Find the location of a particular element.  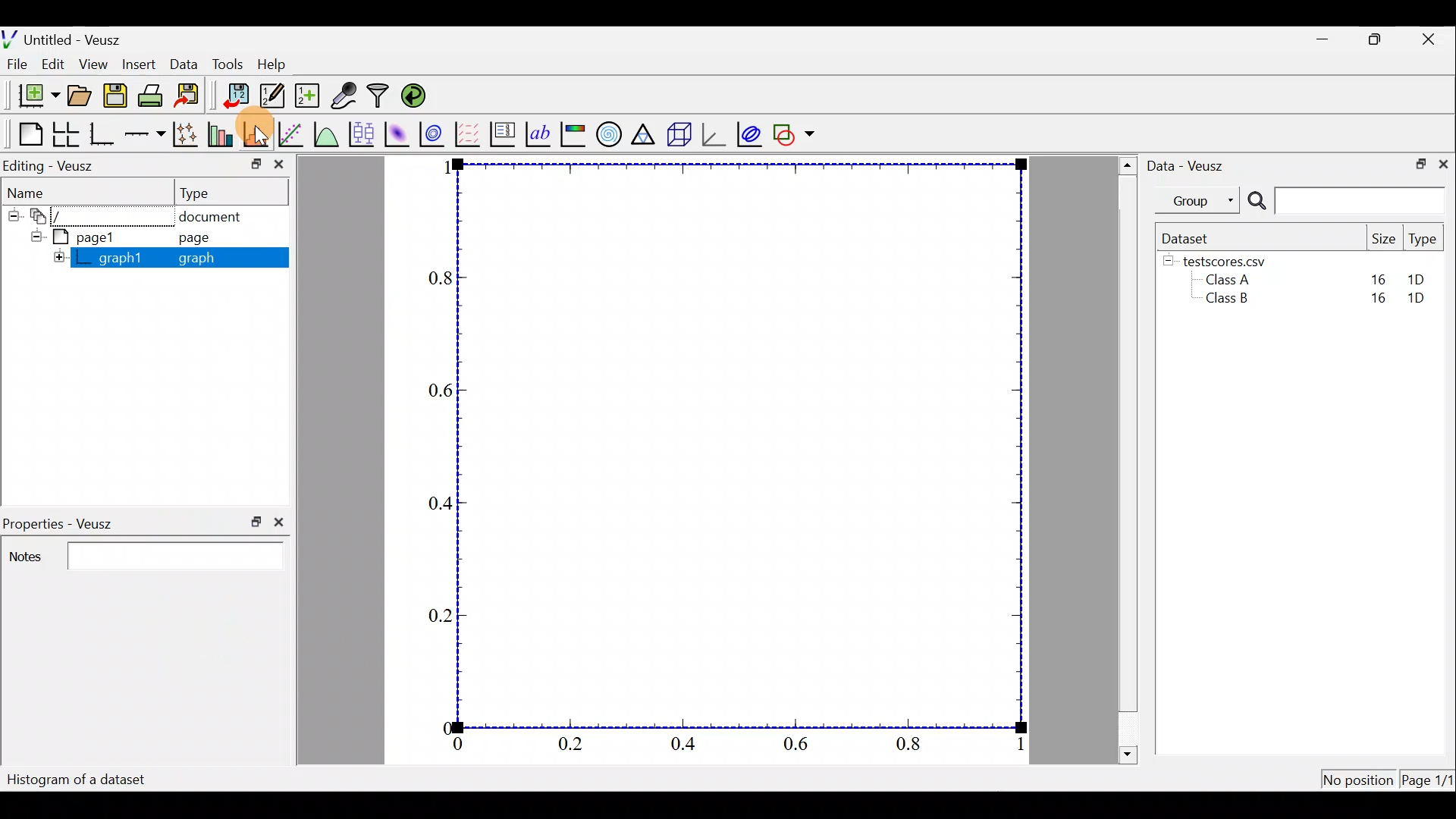

Size is located at coordinates (1384, 238).